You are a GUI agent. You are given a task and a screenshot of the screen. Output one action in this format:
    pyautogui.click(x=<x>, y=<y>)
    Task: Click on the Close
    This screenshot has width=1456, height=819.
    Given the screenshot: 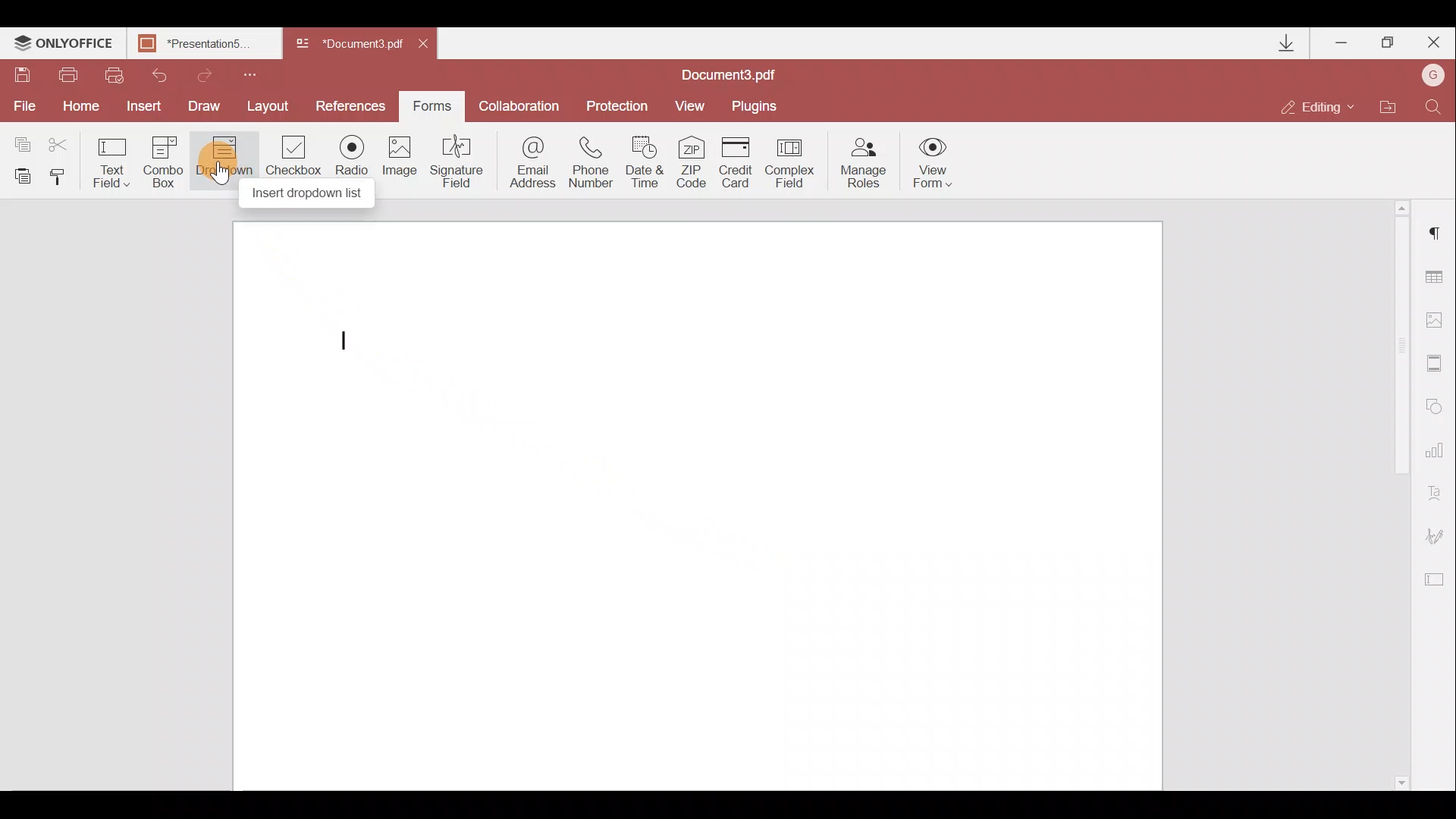 What is the action you would take?
    pyautogui.click(x=431, y=47)
    